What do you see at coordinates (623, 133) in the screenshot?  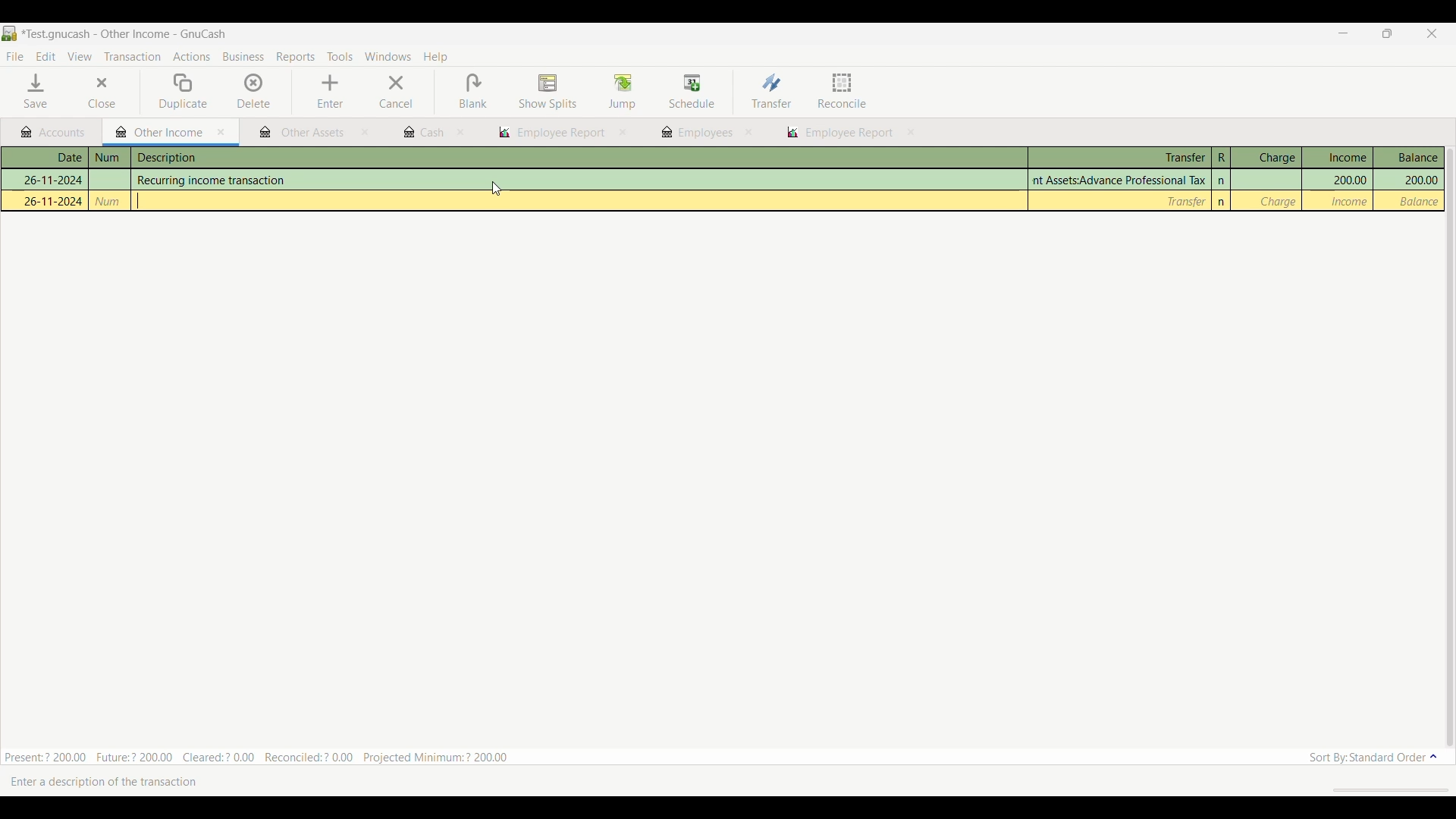 I see `close` at bounding box center [623, 133].